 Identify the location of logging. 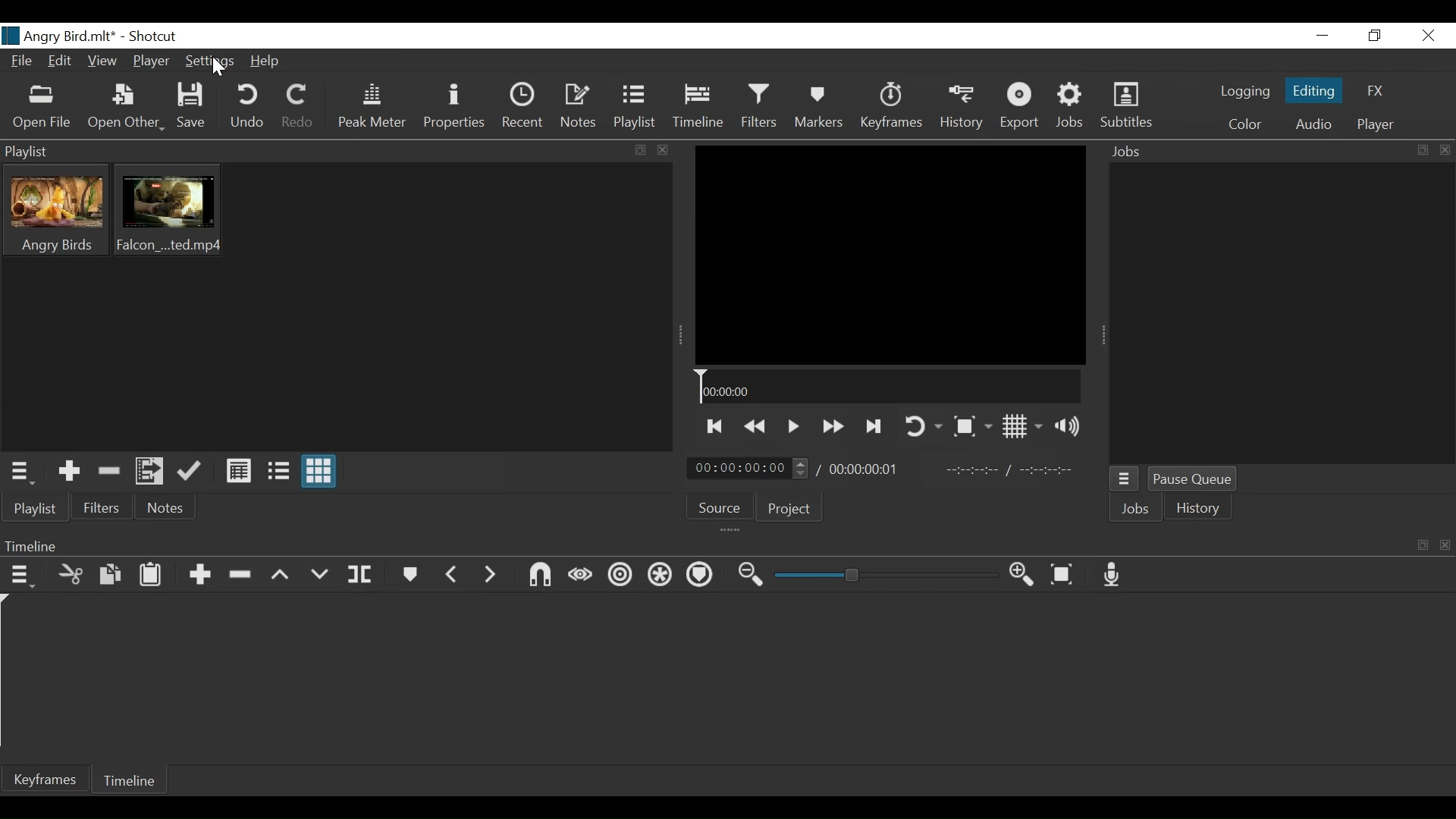
(1244, 92).